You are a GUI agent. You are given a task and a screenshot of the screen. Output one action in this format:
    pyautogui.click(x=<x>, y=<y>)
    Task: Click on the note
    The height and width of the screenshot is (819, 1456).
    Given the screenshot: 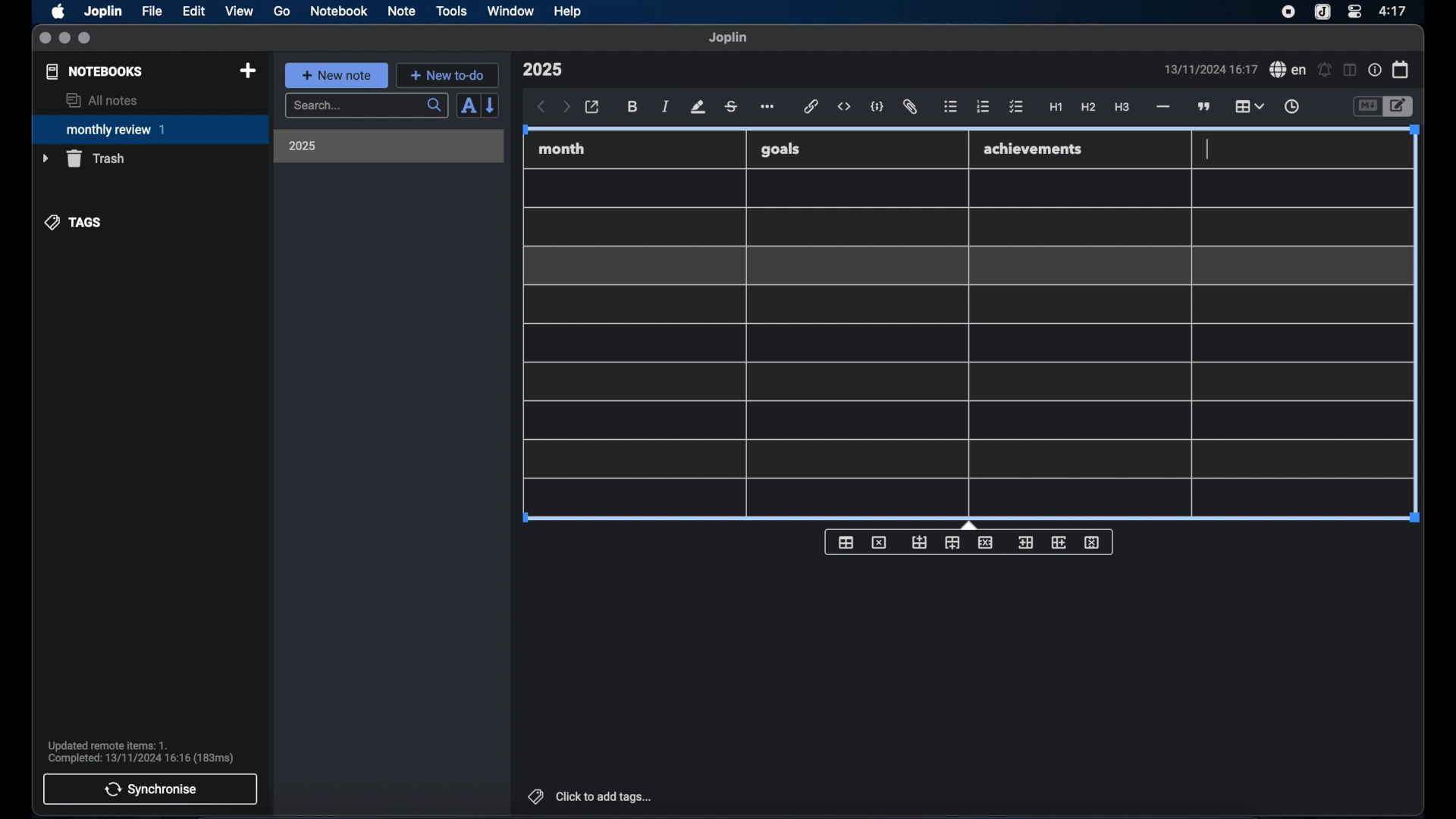 What is the action you would take?
    pyautogui.click(x=402, y=11)
    